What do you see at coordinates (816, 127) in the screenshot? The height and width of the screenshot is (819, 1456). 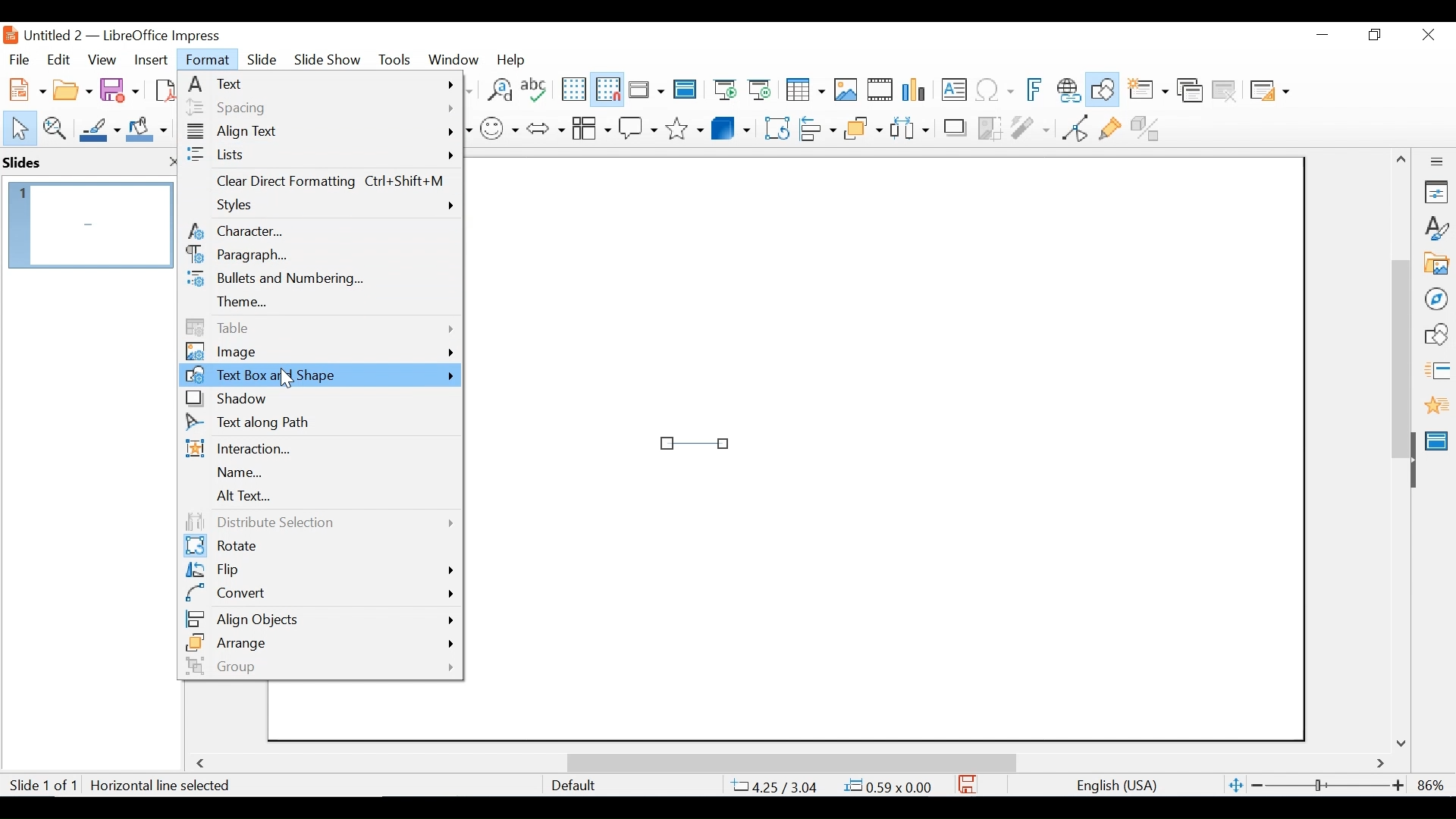 I see `Align Objects` at bounding box center [816, 127].